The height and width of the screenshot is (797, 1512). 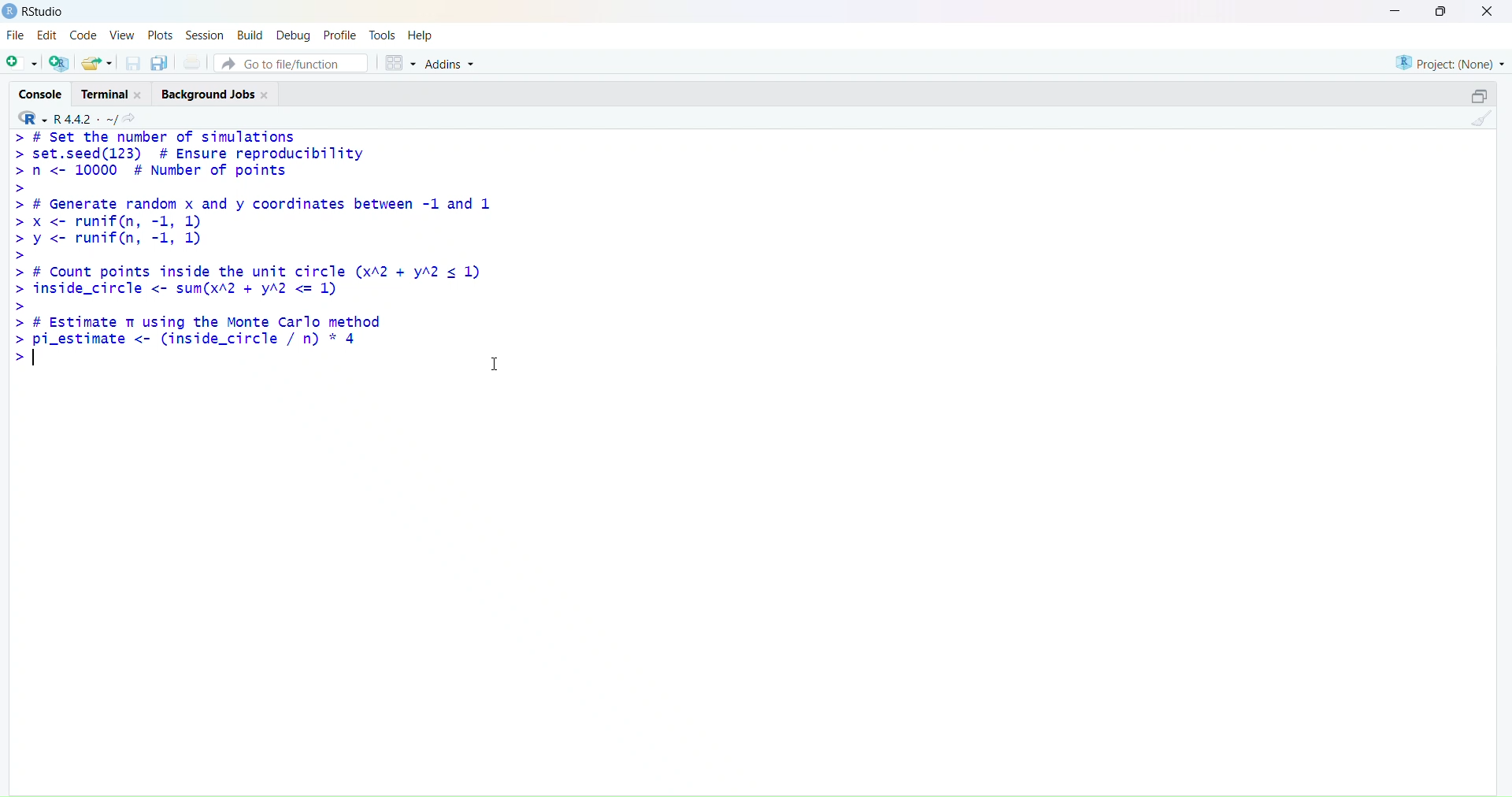 I want to click on Plots, so click(x=161, y=34).